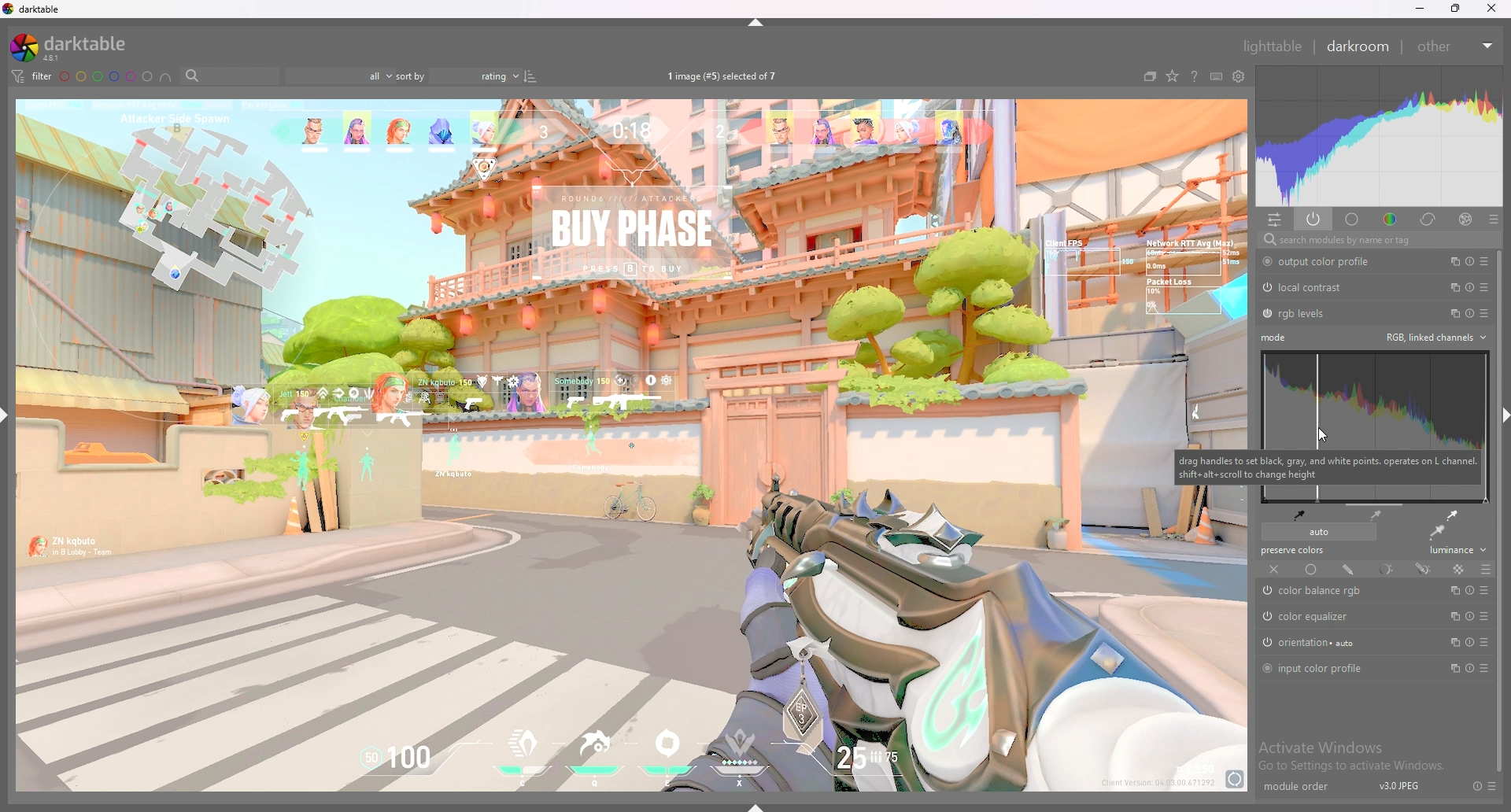 This screenshot has height=812, width=1511. I want to click on cursor, so click(1325, 435).